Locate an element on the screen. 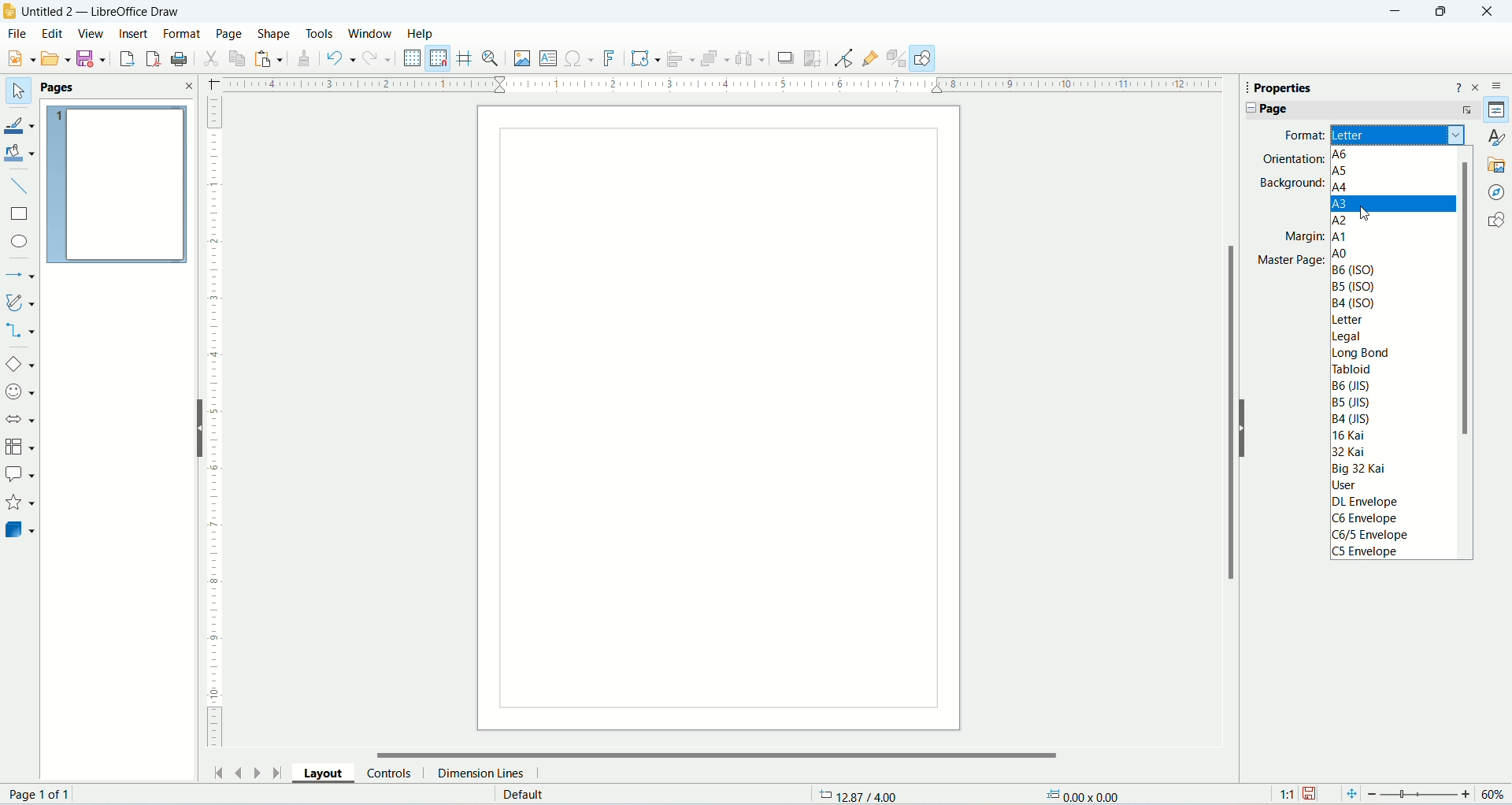 The image size is (1512, 805). crop images is located at coordinates (786, 58).